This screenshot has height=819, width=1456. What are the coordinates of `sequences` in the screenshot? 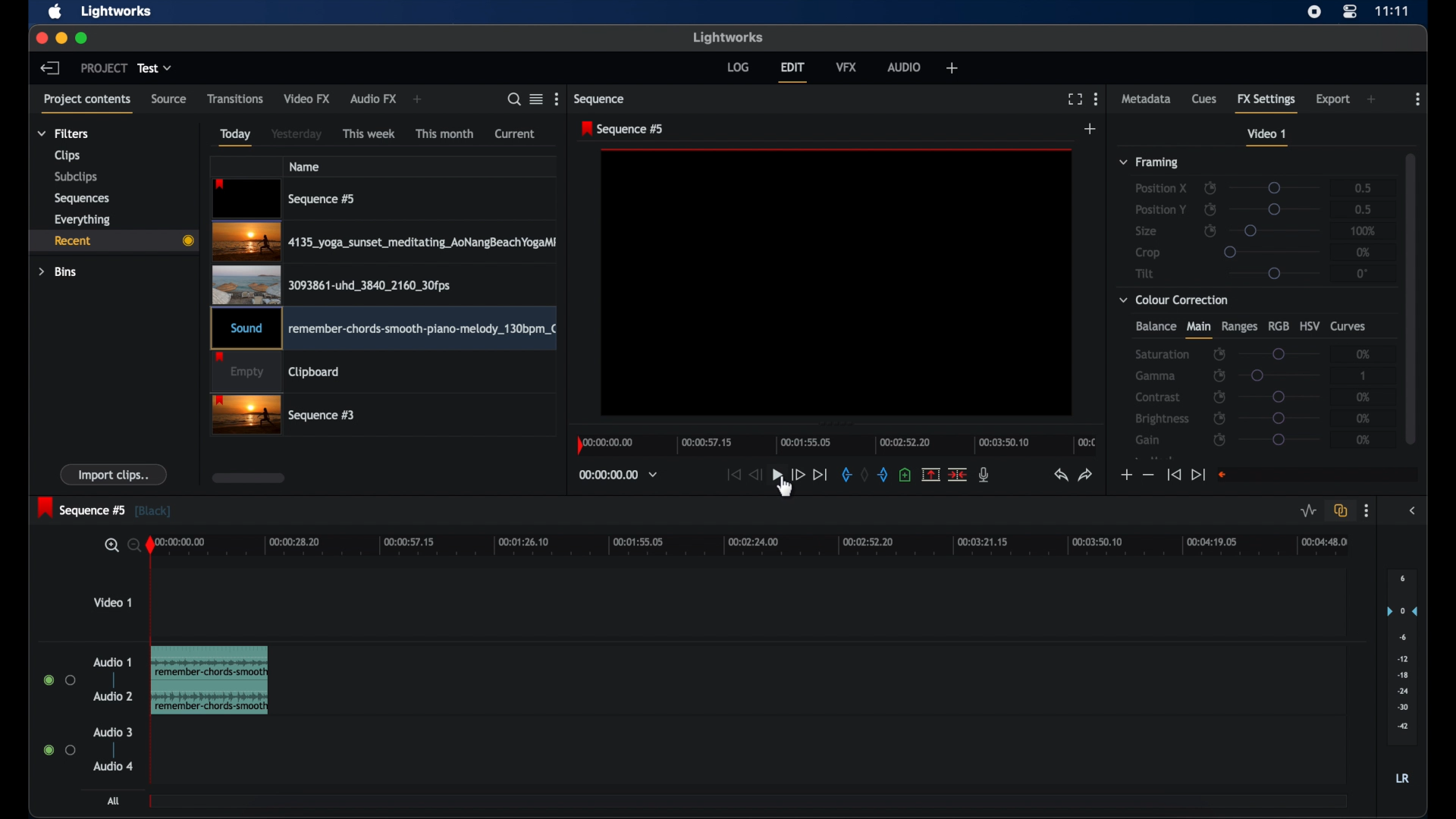 It's located at (83, 198).